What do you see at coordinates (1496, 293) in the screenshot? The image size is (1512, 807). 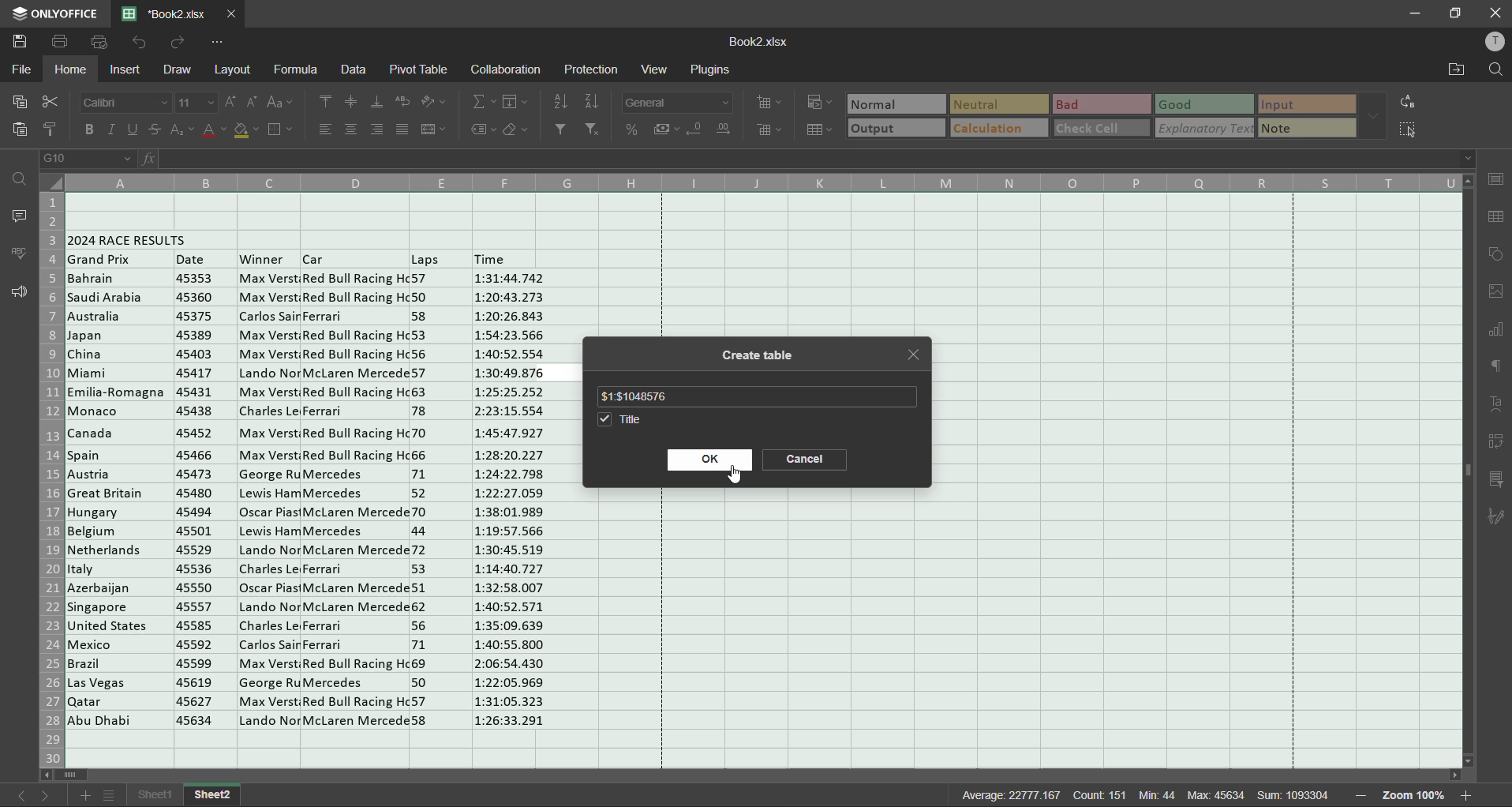 I see `images` at bounding box center [1496, 293].